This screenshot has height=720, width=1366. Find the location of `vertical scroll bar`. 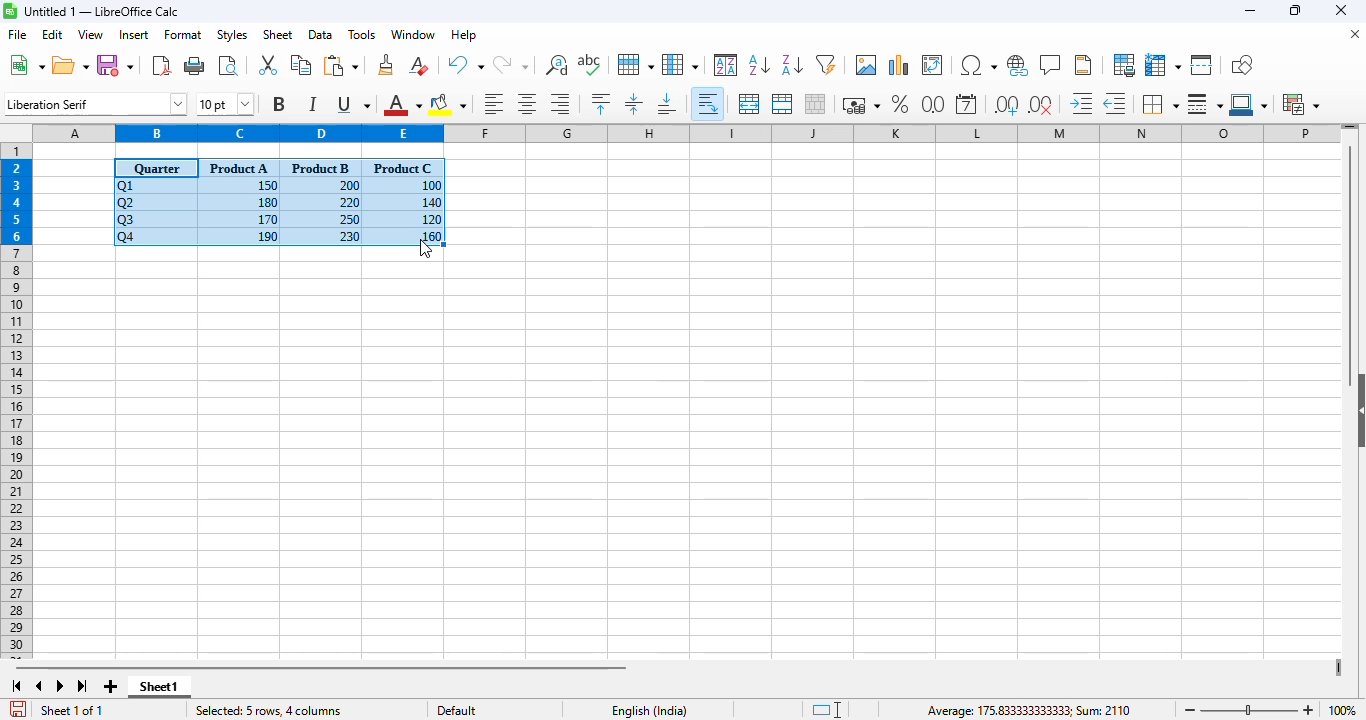

vertical scroll bar is located at coordinates (1351, 265).